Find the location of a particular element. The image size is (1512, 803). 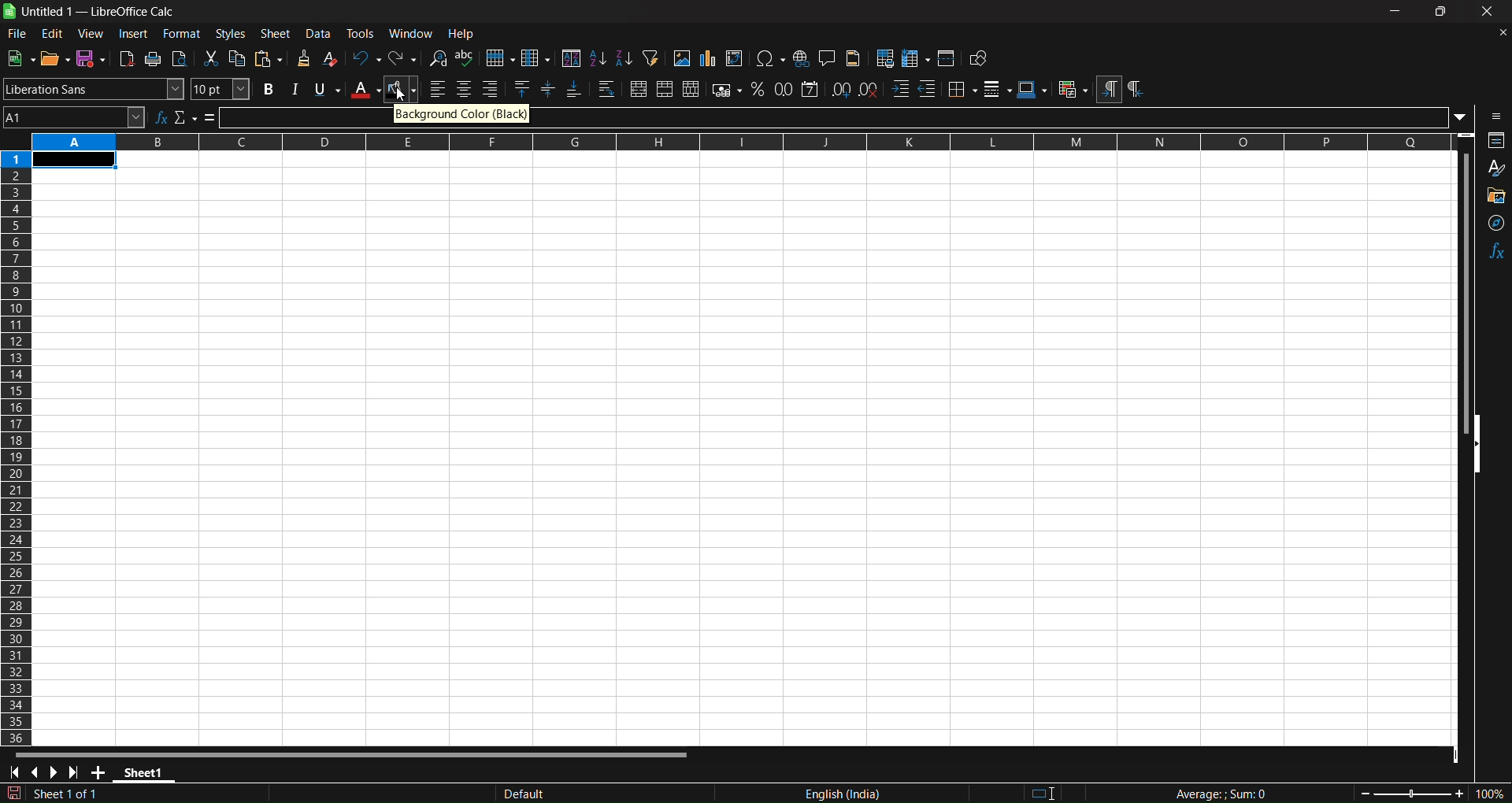

sort is located at coordinates (572, 57).